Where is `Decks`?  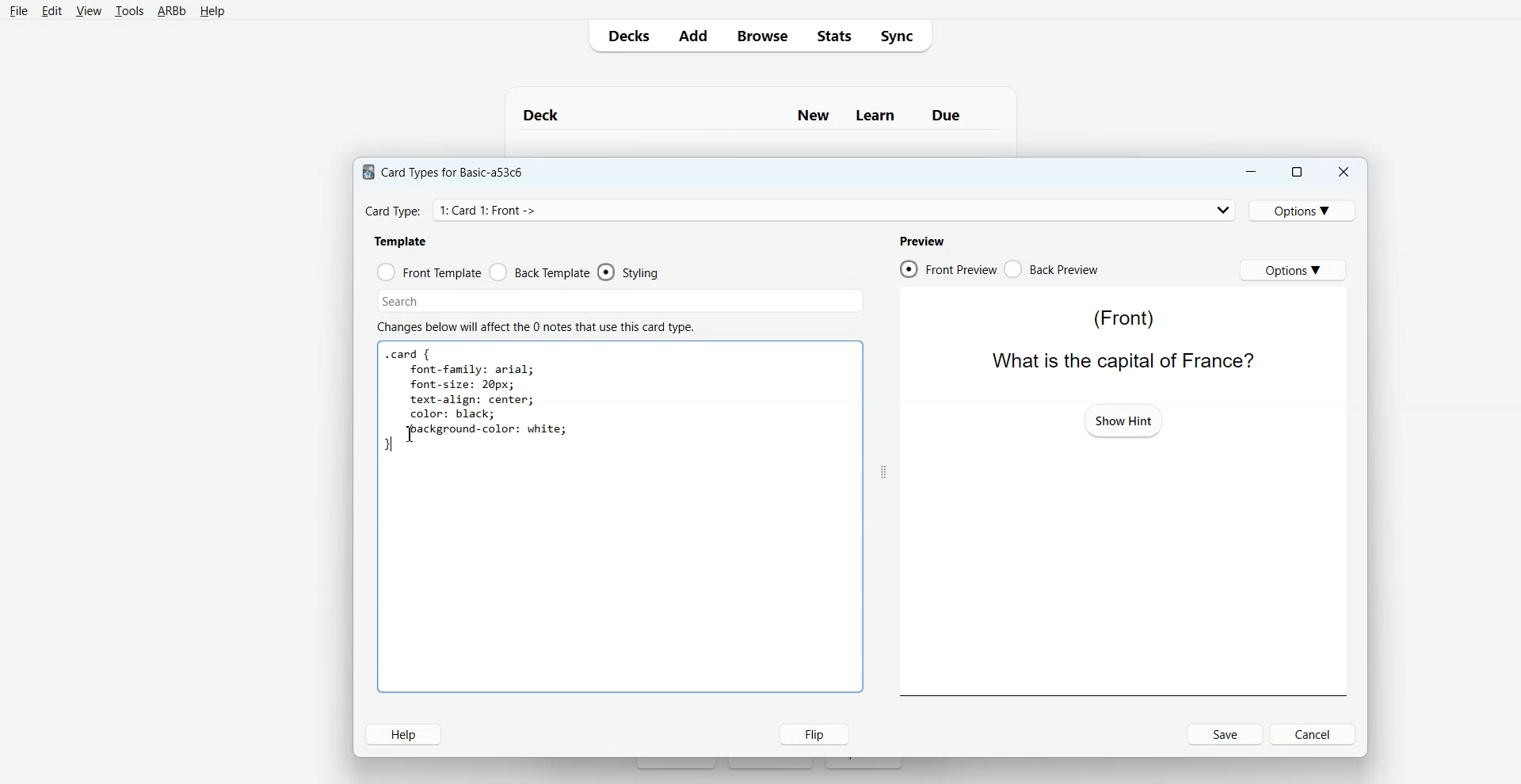
Decks is located at coordinates (625, 36).